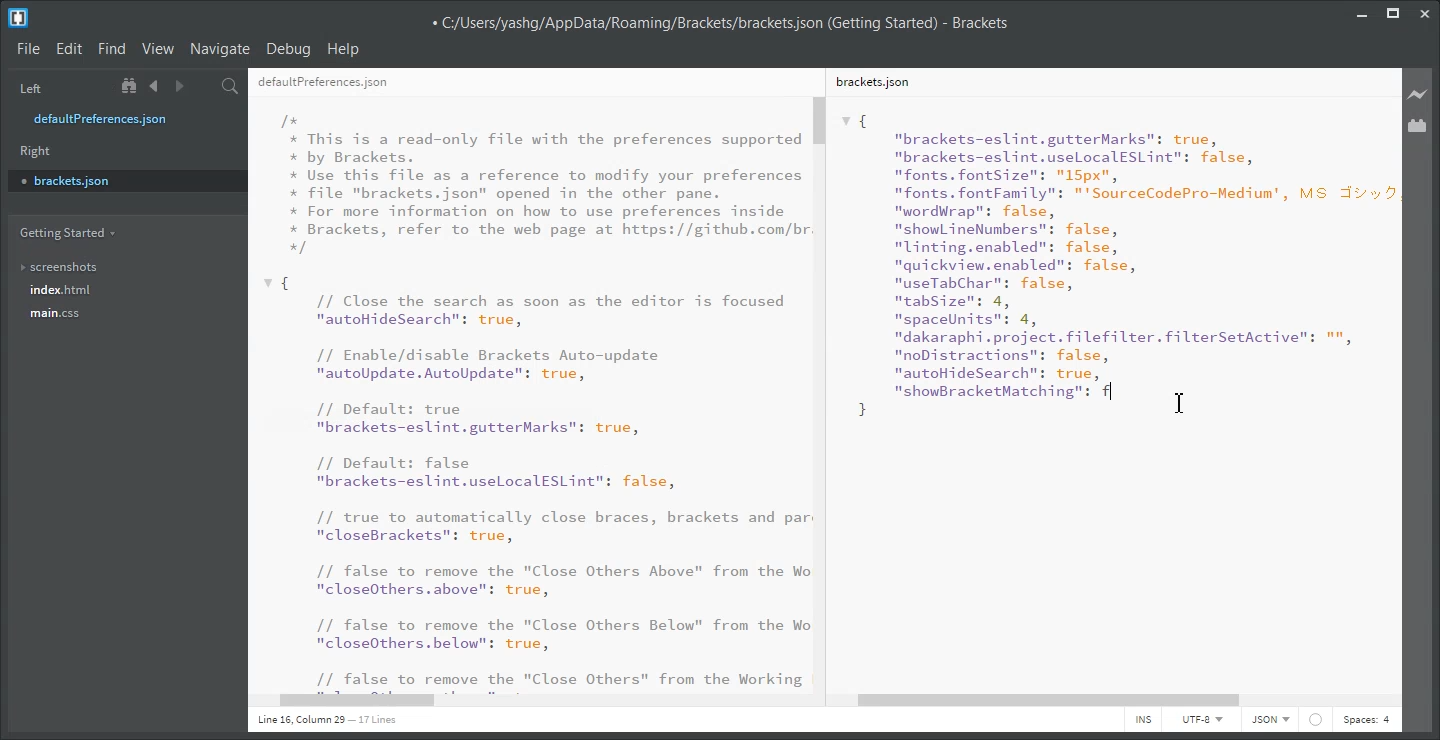 The height and width of the screenshot is (740, 1440). Describe the element at coordinates (1117, 265) in the screenshot. I see `{"brackets-eslint.gutterMarks": true,"brackets-eslint.uselocalESLint": false,"fonts. fontSize": "15px","fonts. fontFamily": "'SourceCodePro-Medium', MS J:"wordWrap": false,"show ineNumbers": false,"linting.enabled": false,"quickview.enabled": false,"useTabChar": false,"tabSize": 4,"spaceUnits": 4,"dakaraphi.project. filefilter.filterSetActive": "","noDistractions": false,"autoHideSearch”: true,nshowBracketMatching": f }` at that location.